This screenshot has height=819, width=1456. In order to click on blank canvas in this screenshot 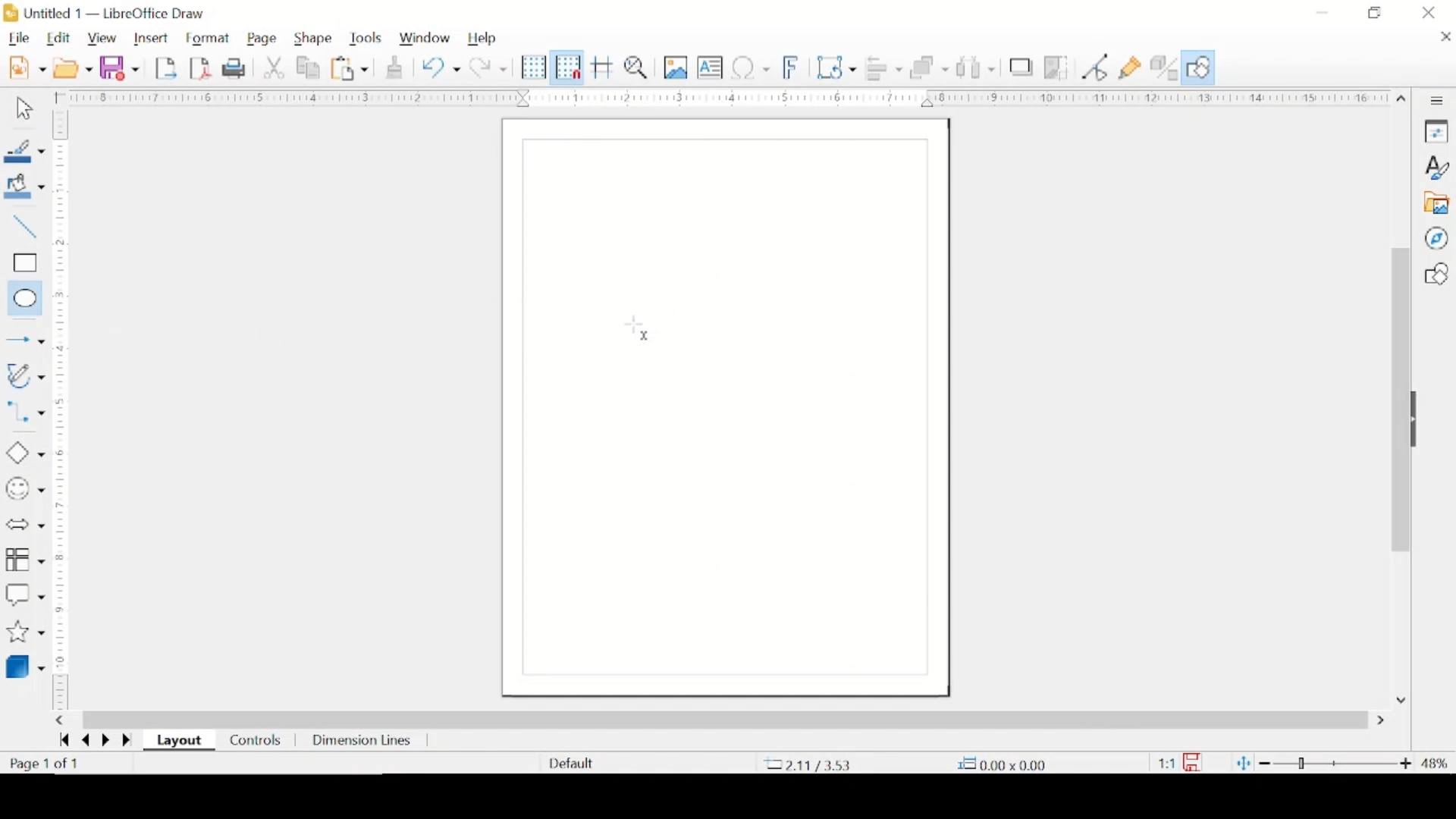, I will do `click(723, 408)`.